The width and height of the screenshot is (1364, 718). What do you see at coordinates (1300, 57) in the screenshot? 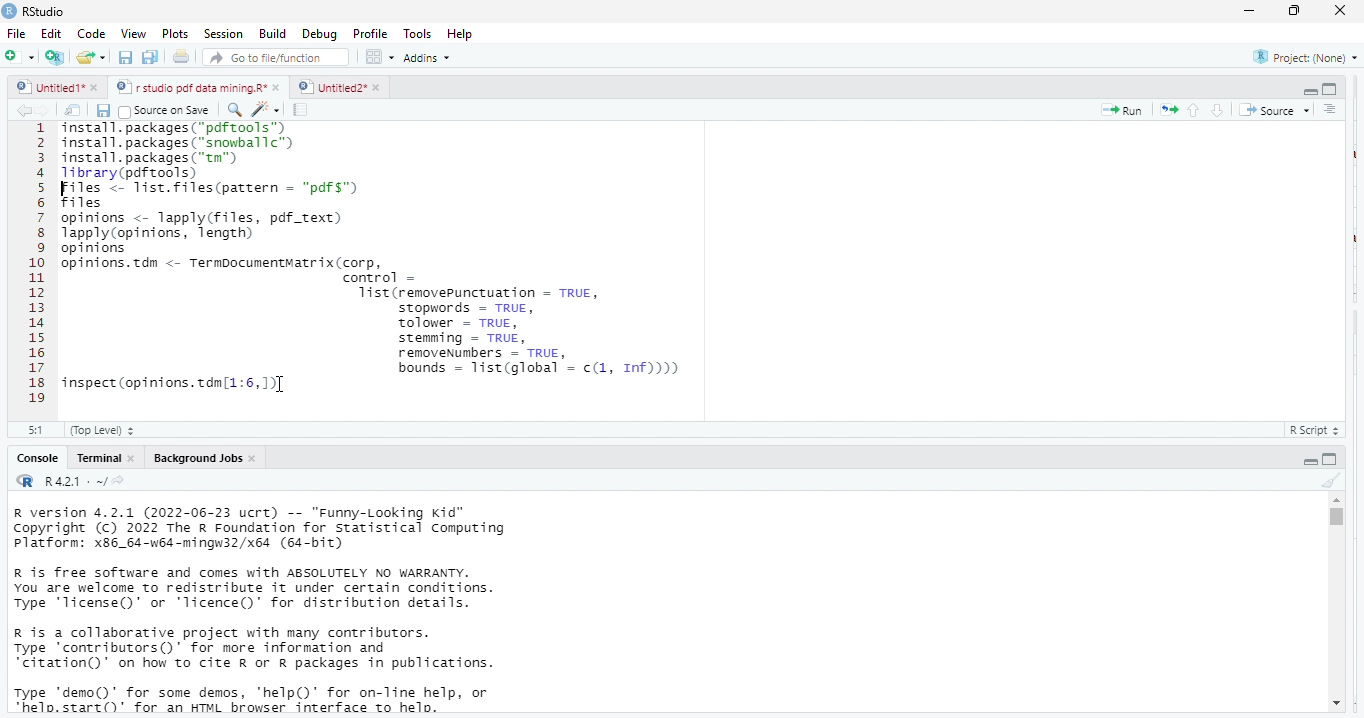
I see `project (none)` at bounding box center [1300, 57].